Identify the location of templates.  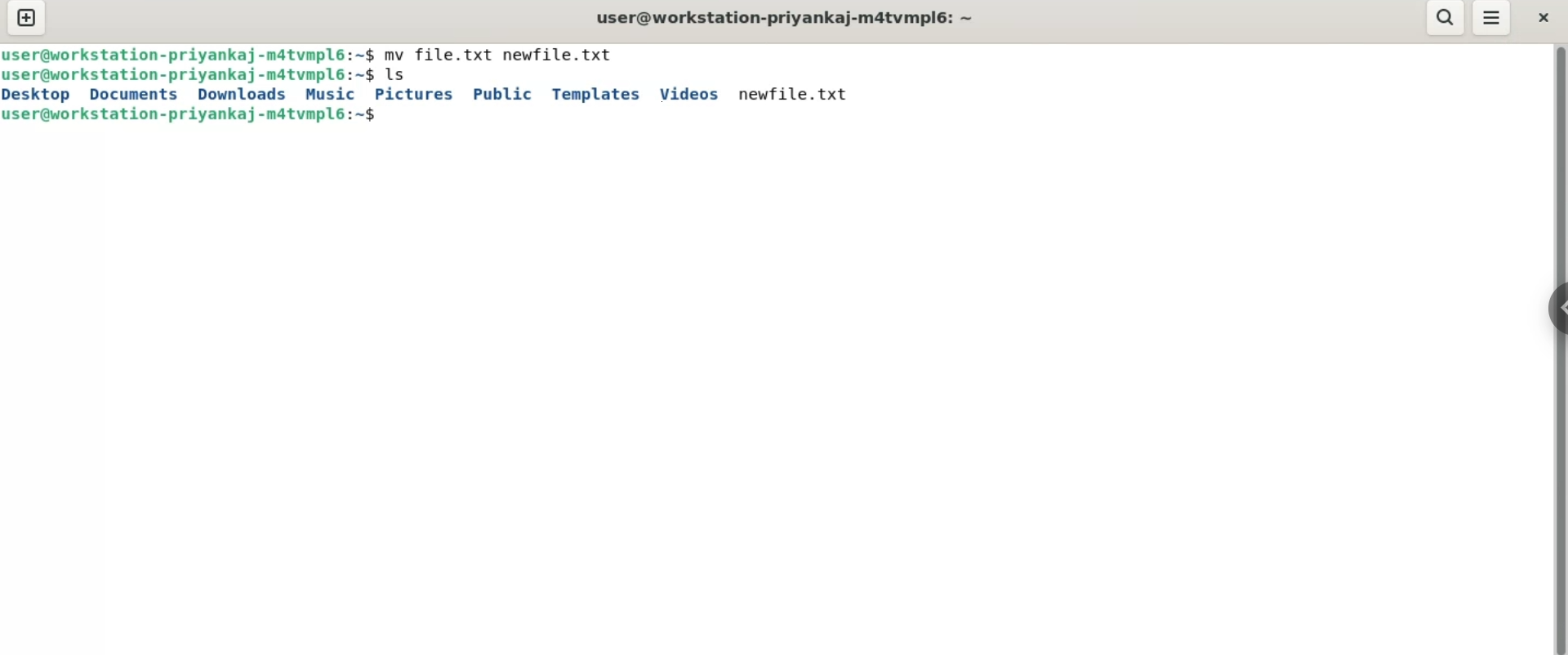
(595, 94).